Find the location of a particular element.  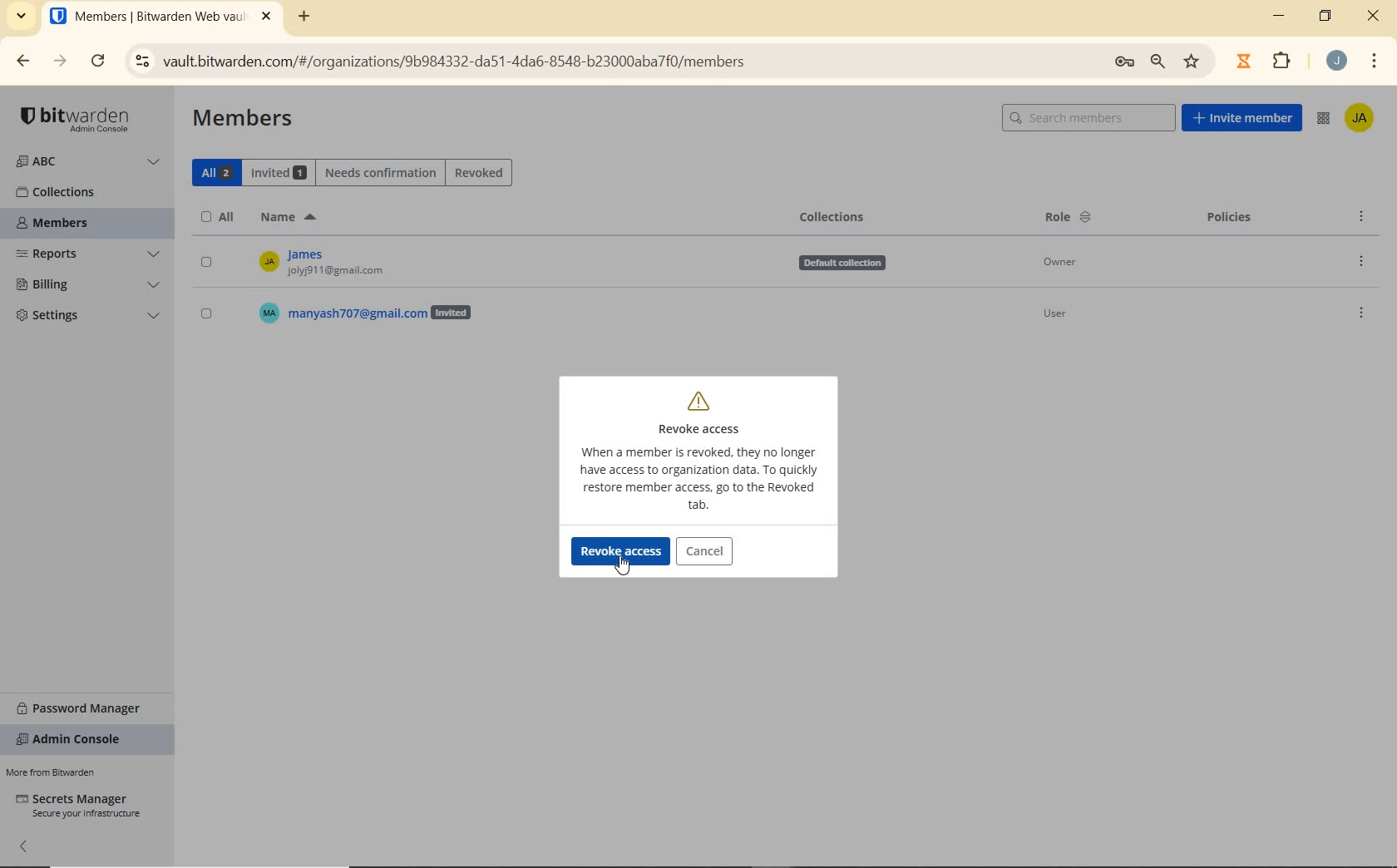

ADDRESS BAR is located at coordinates (668, 60).